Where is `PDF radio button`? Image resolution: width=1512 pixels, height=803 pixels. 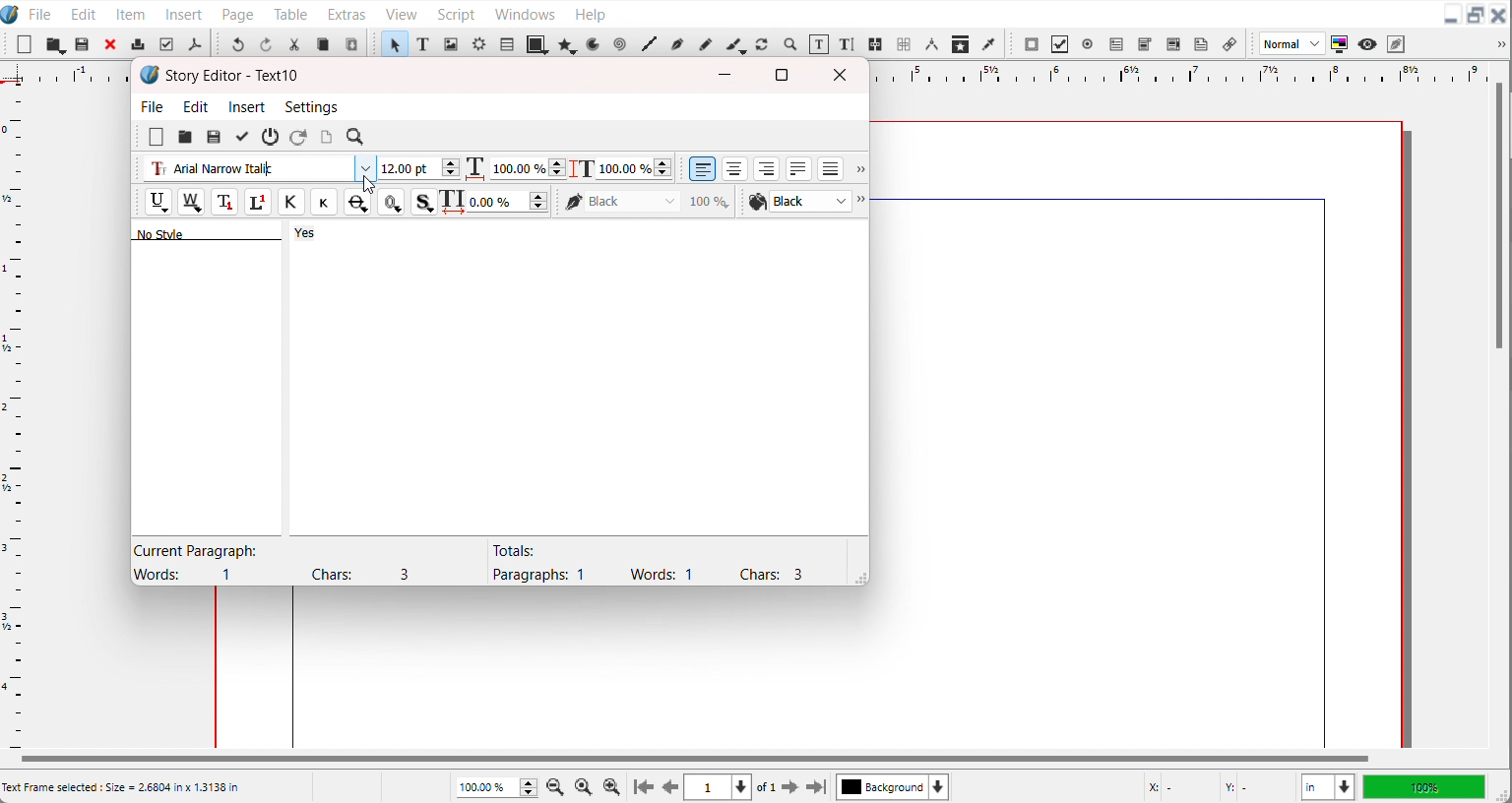 PDF radio button is located at coordinates (1087, 44).